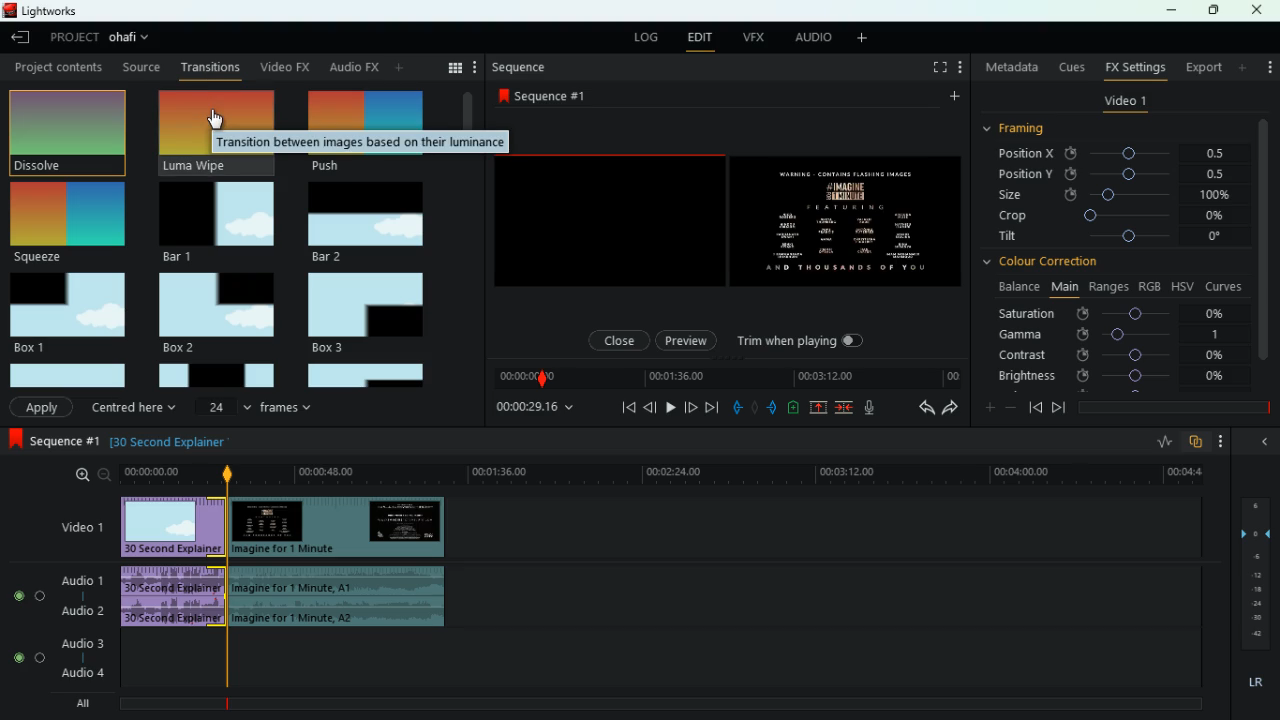 The height and width of the screenshot is (720, 1280). I want to click on back, so click(1035, 407).